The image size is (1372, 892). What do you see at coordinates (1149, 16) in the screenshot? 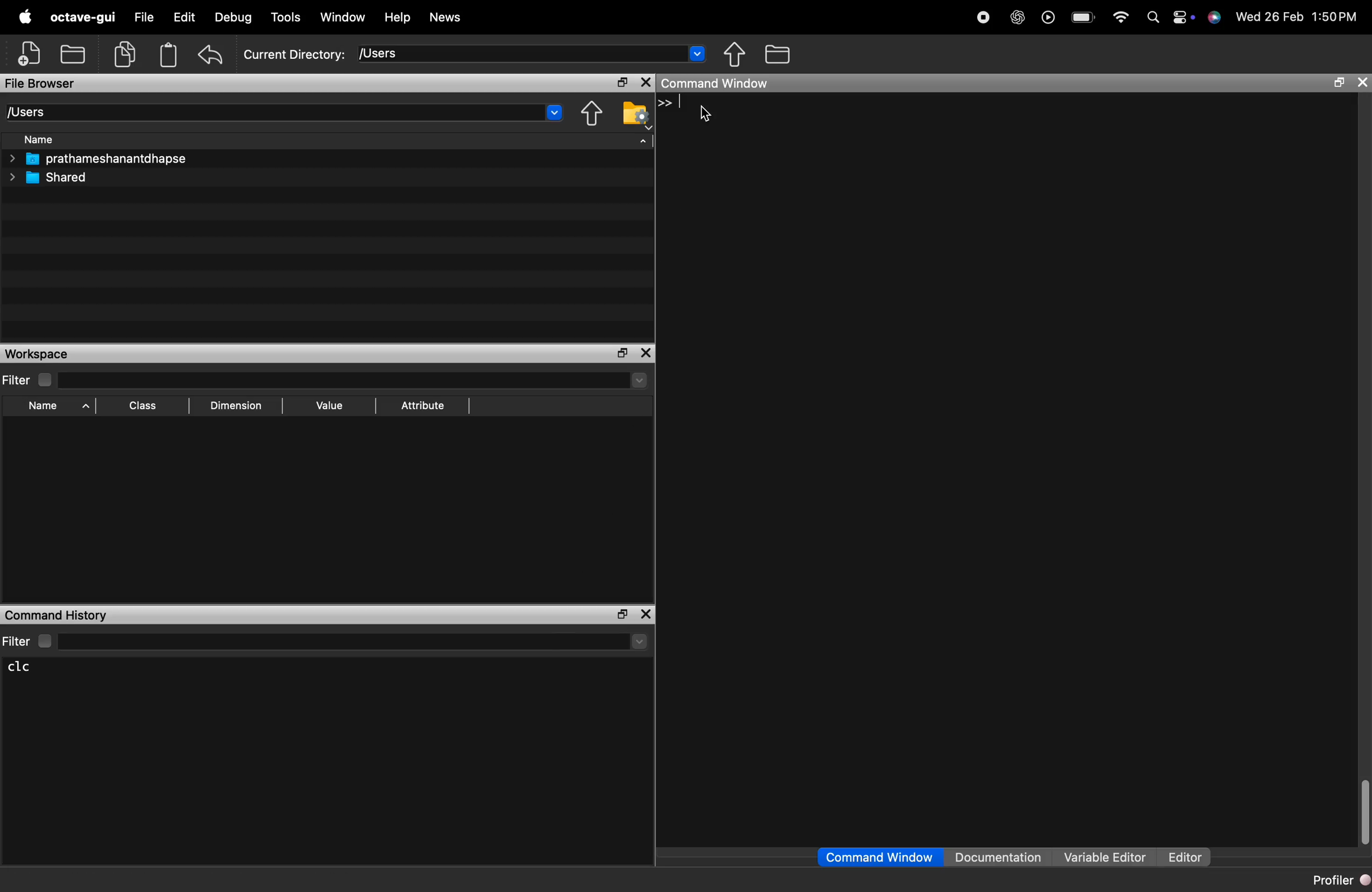
I see `Search` at bounding box center [1149, 16].